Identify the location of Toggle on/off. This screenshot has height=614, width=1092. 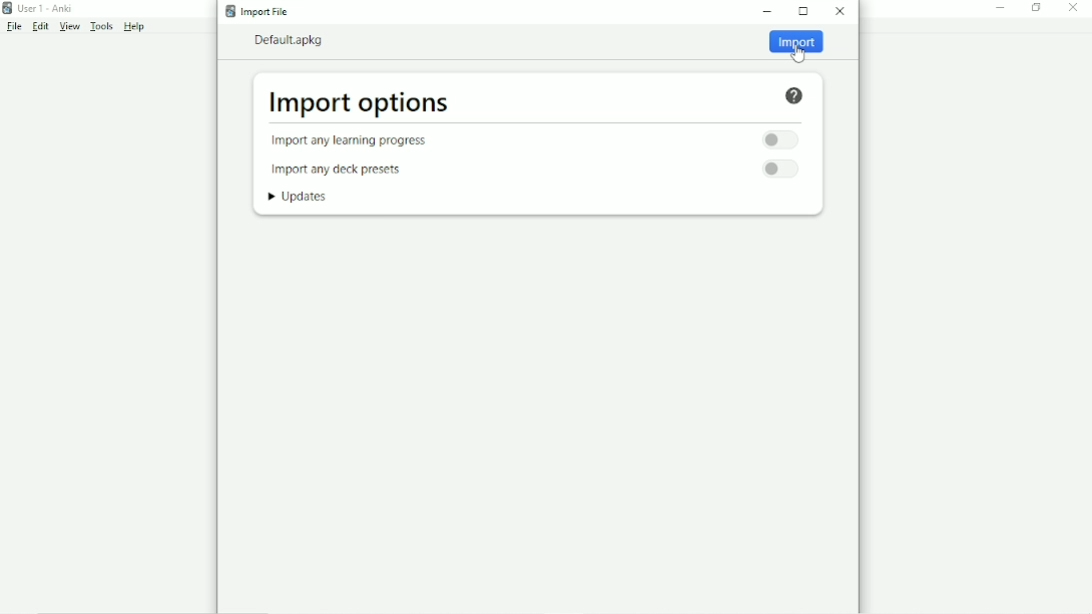
(783, 170).